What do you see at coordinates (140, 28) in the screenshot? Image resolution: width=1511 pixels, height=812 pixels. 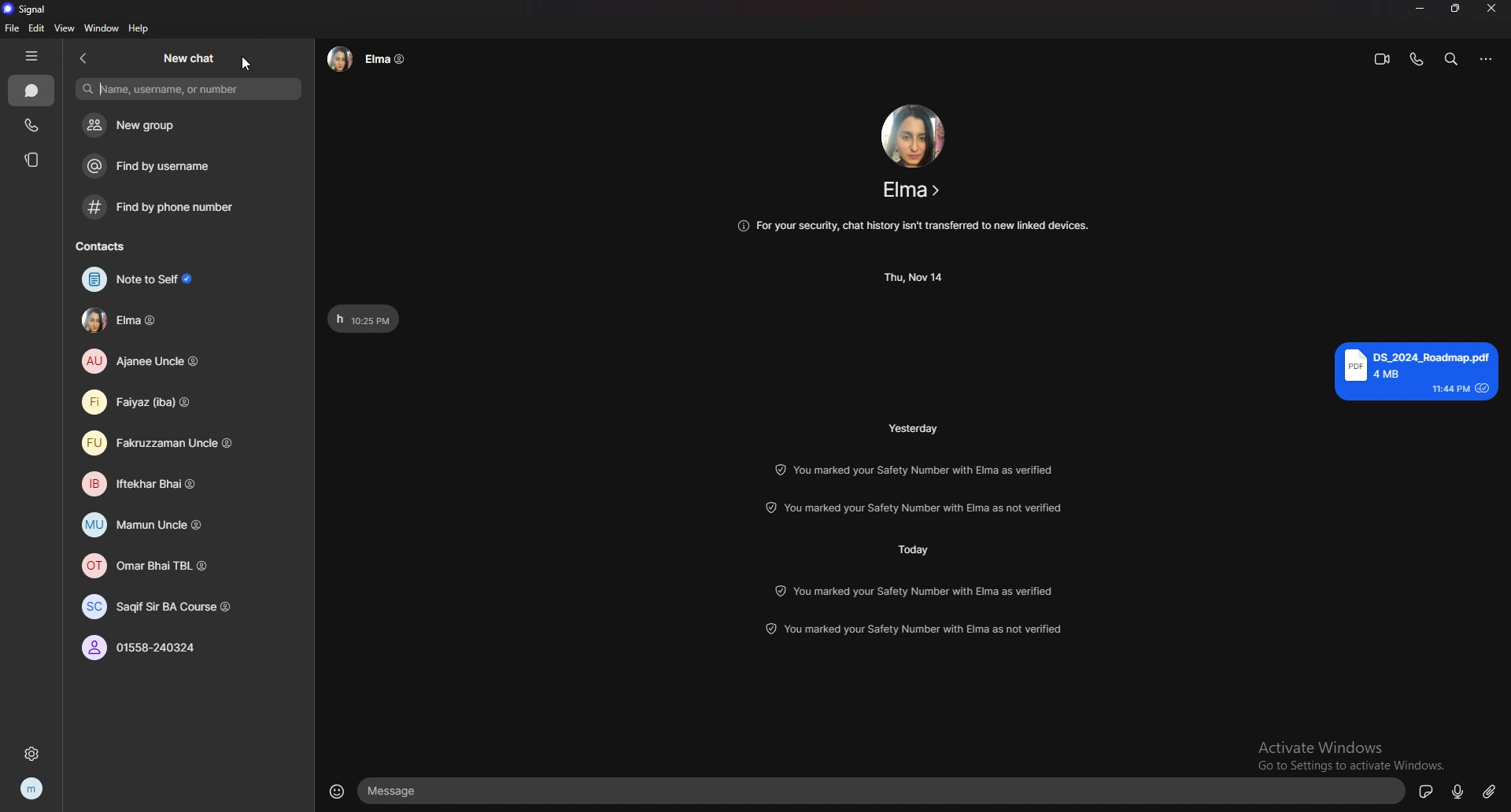 I see `help` at bounding box center [140, 28].